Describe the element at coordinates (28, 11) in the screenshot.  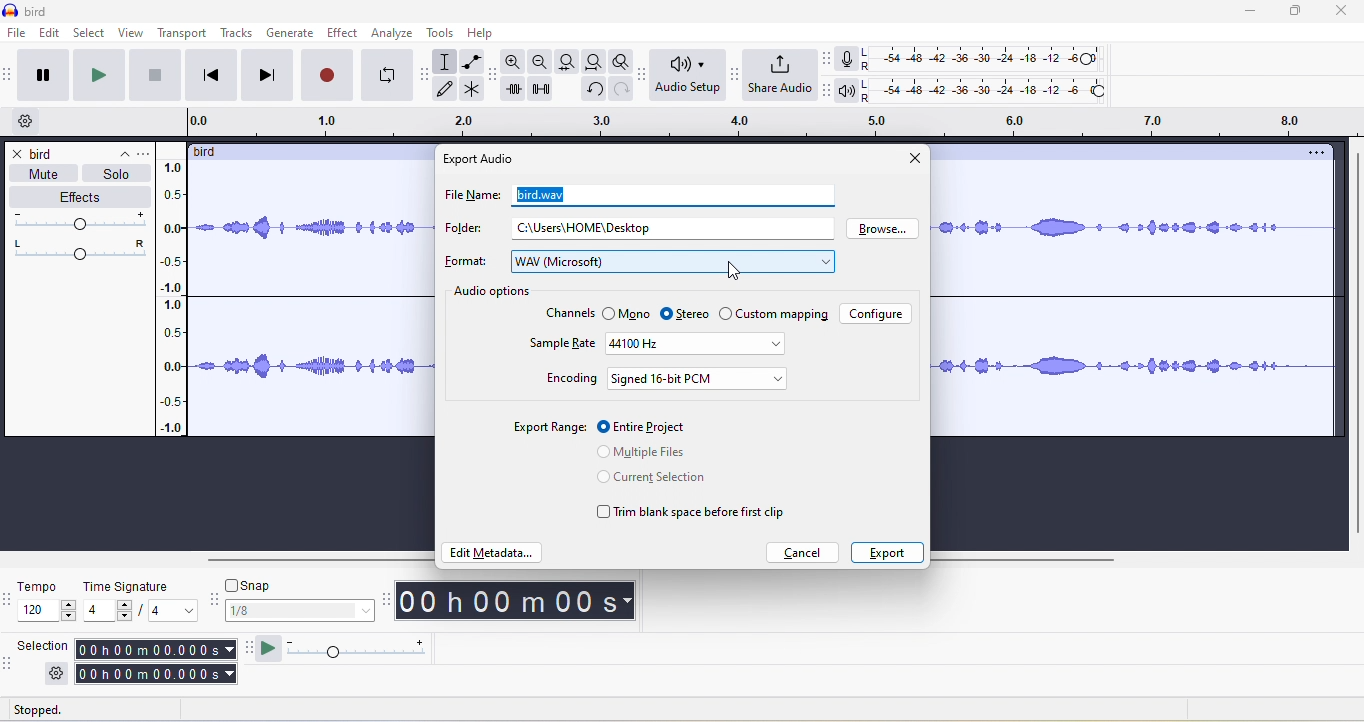
I see `title` at that location.